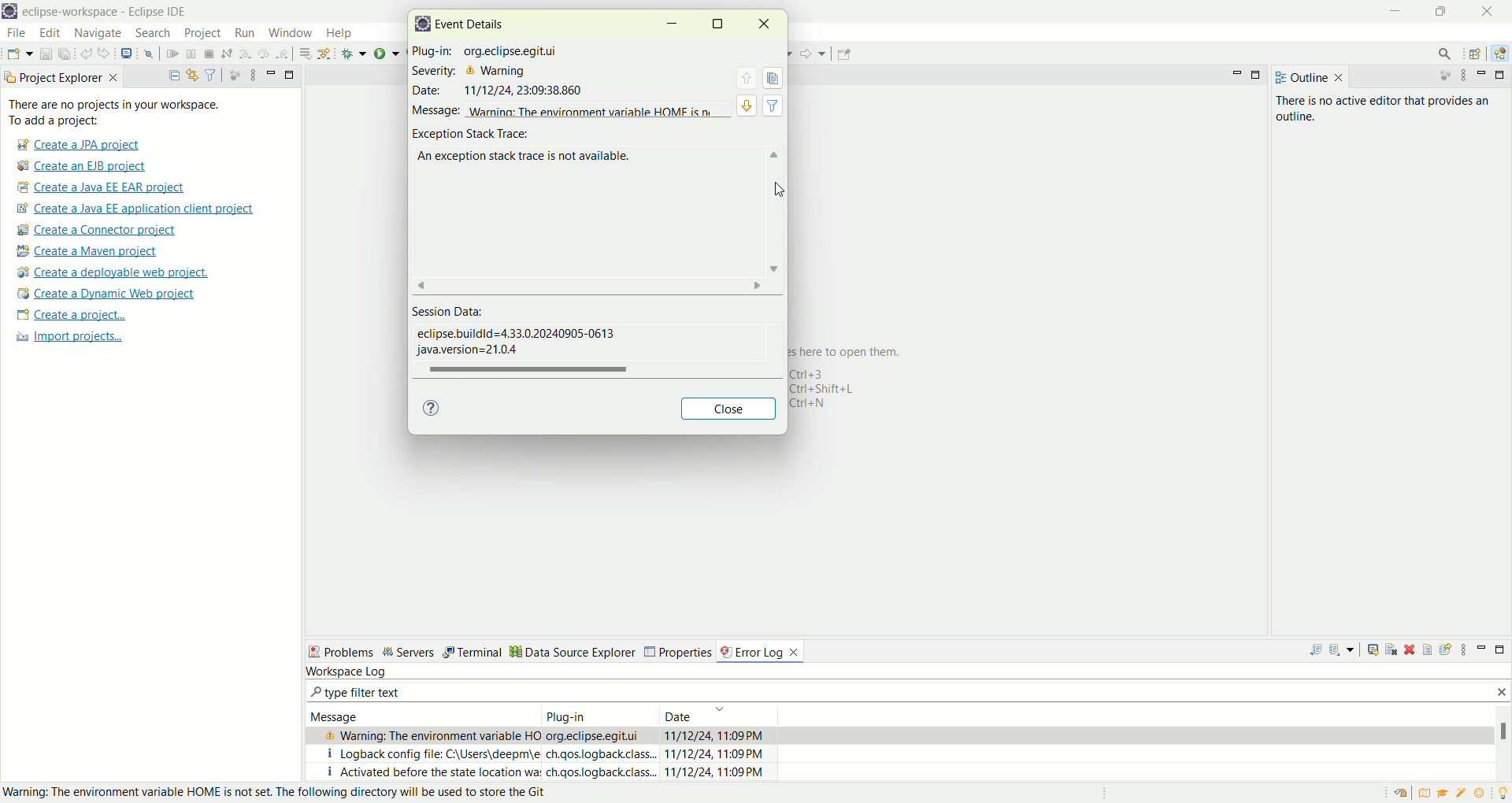 This screenshot has height=803, width=1512. Describe the element at coordinates (154, 33) in the screenshot. I see `search` at that location.